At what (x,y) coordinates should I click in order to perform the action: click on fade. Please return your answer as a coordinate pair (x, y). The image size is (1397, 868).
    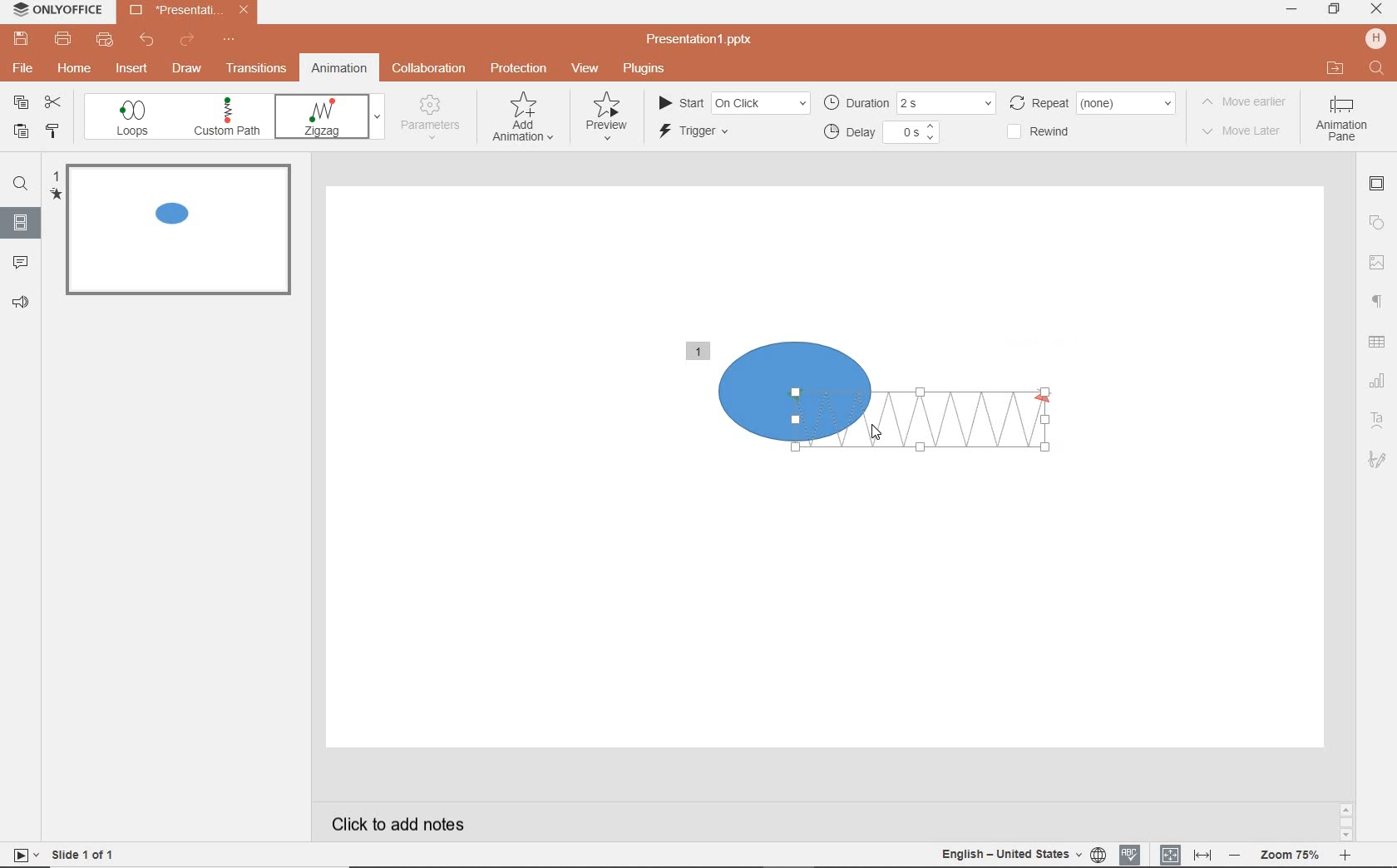
    Looking at the image, I should click on (331, 118).